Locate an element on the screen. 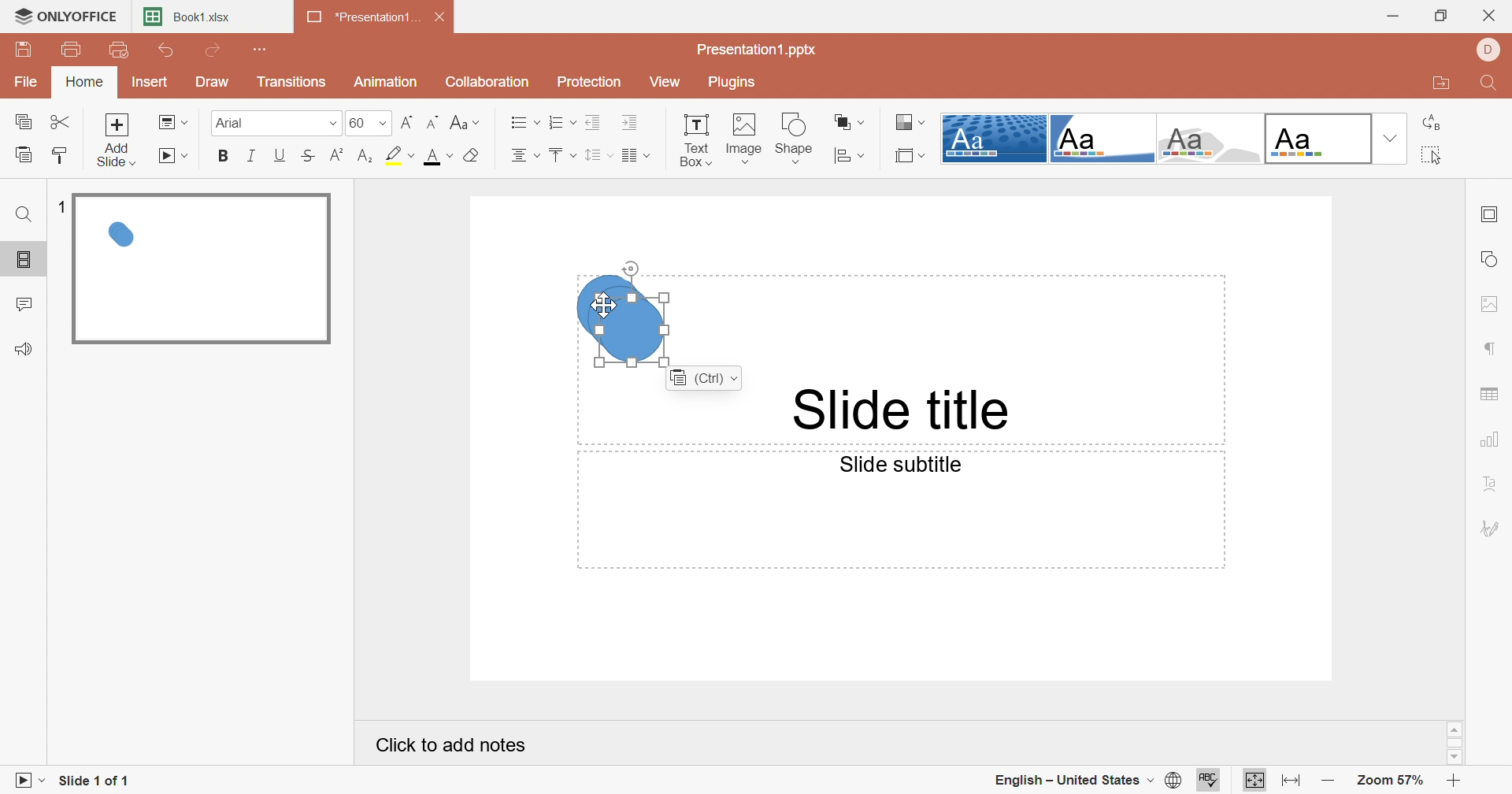 Image resolution: width=1512 pixels, height=794 pixels. Copy is located at coordinates (23, 122).